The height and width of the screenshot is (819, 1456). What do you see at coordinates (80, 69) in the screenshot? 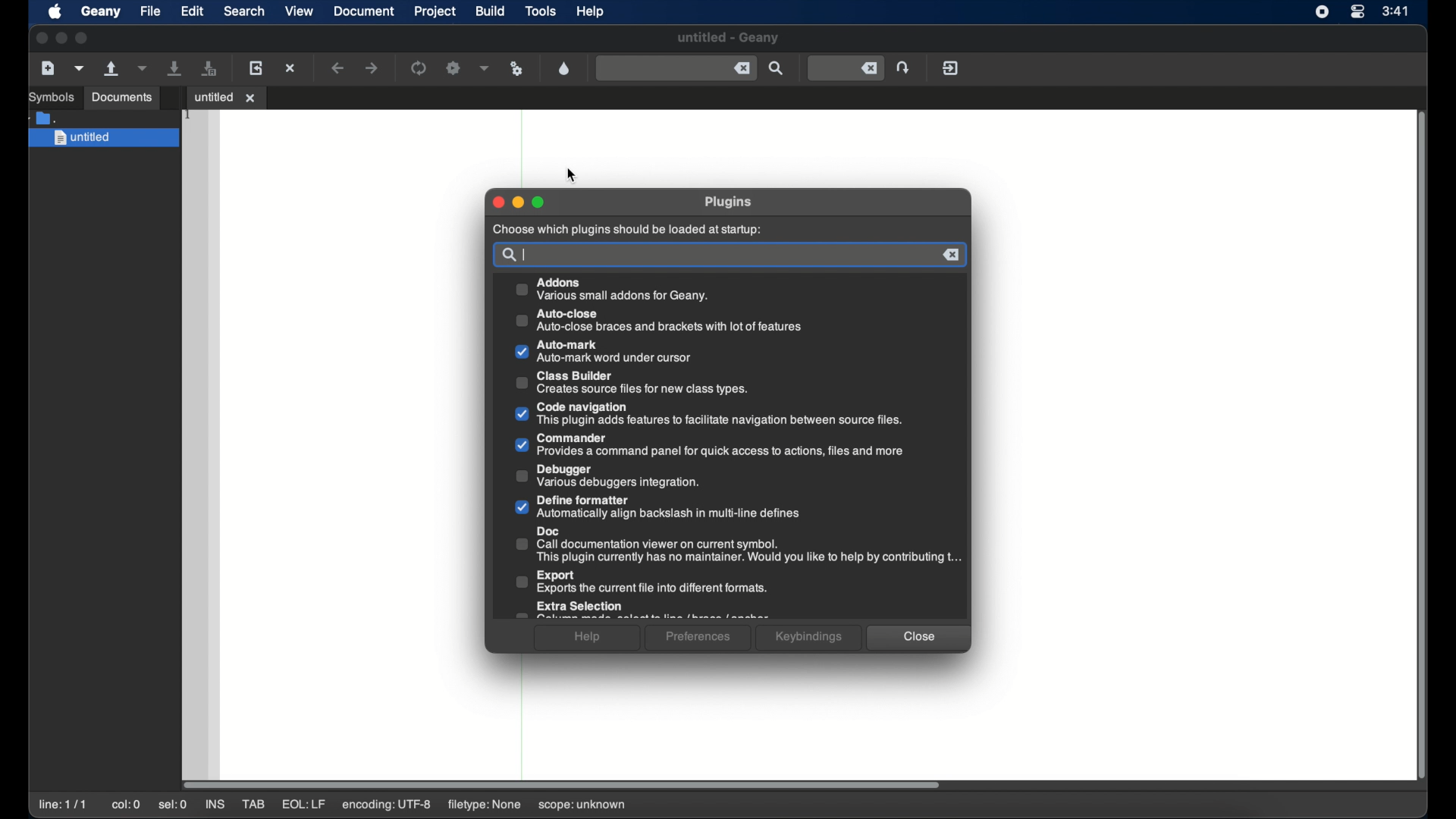
I see `create a new file from template` at bounding box center [80, 69].